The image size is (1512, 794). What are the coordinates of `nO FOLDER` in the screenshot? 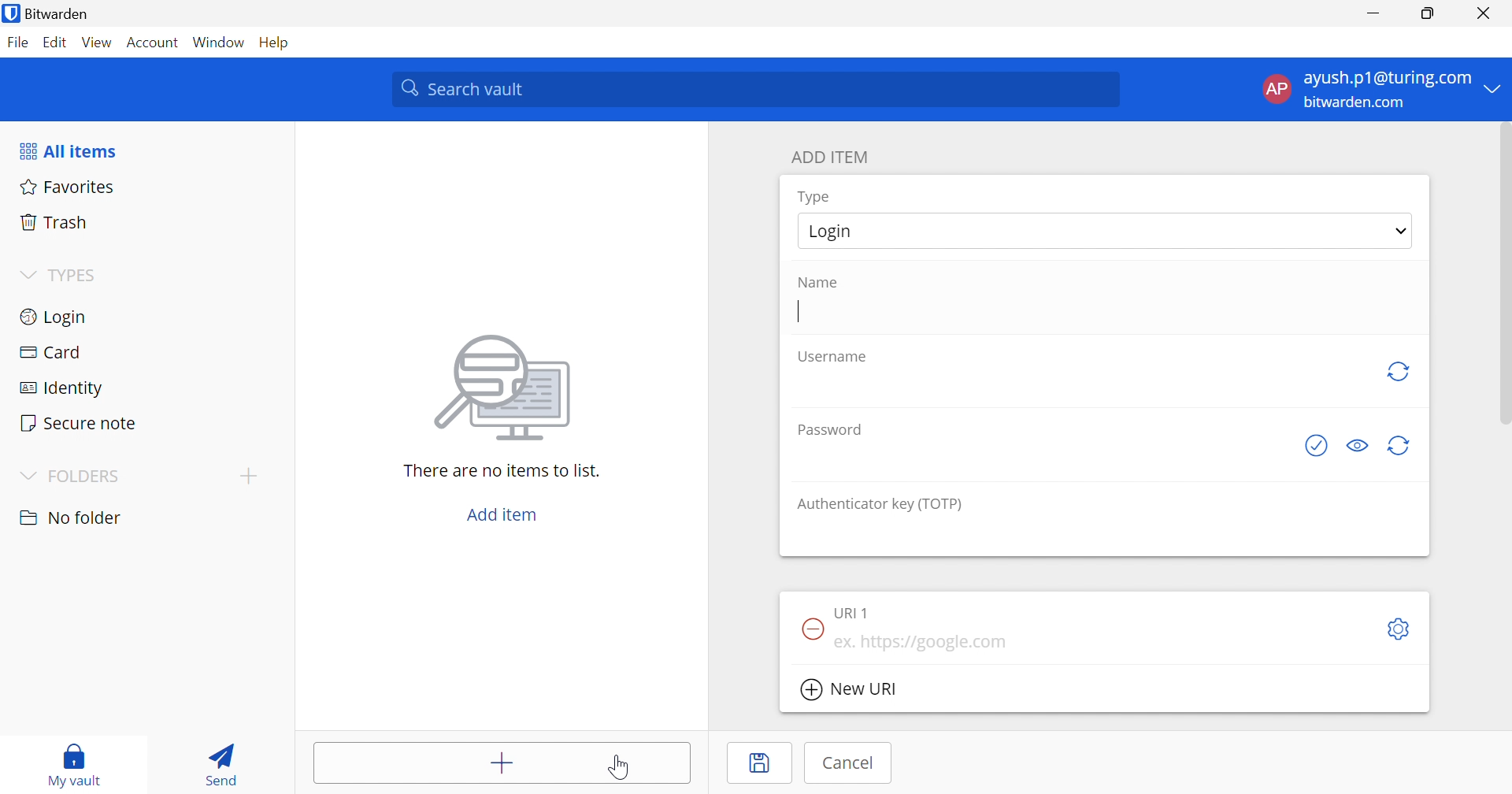 It's located at (70, 518).